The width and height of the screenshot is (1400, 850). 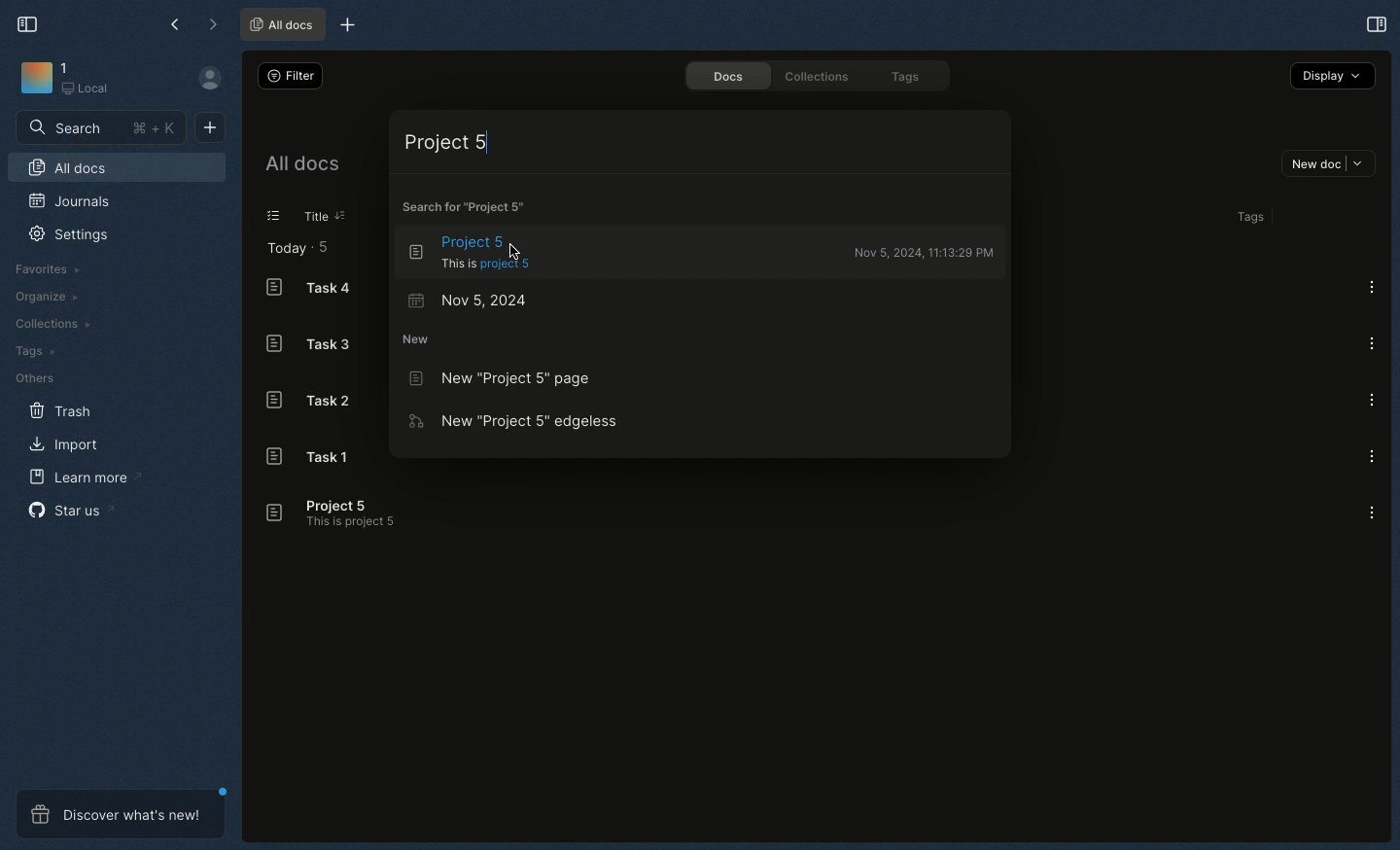 I want to click on Today, so click(x=282, y=250).